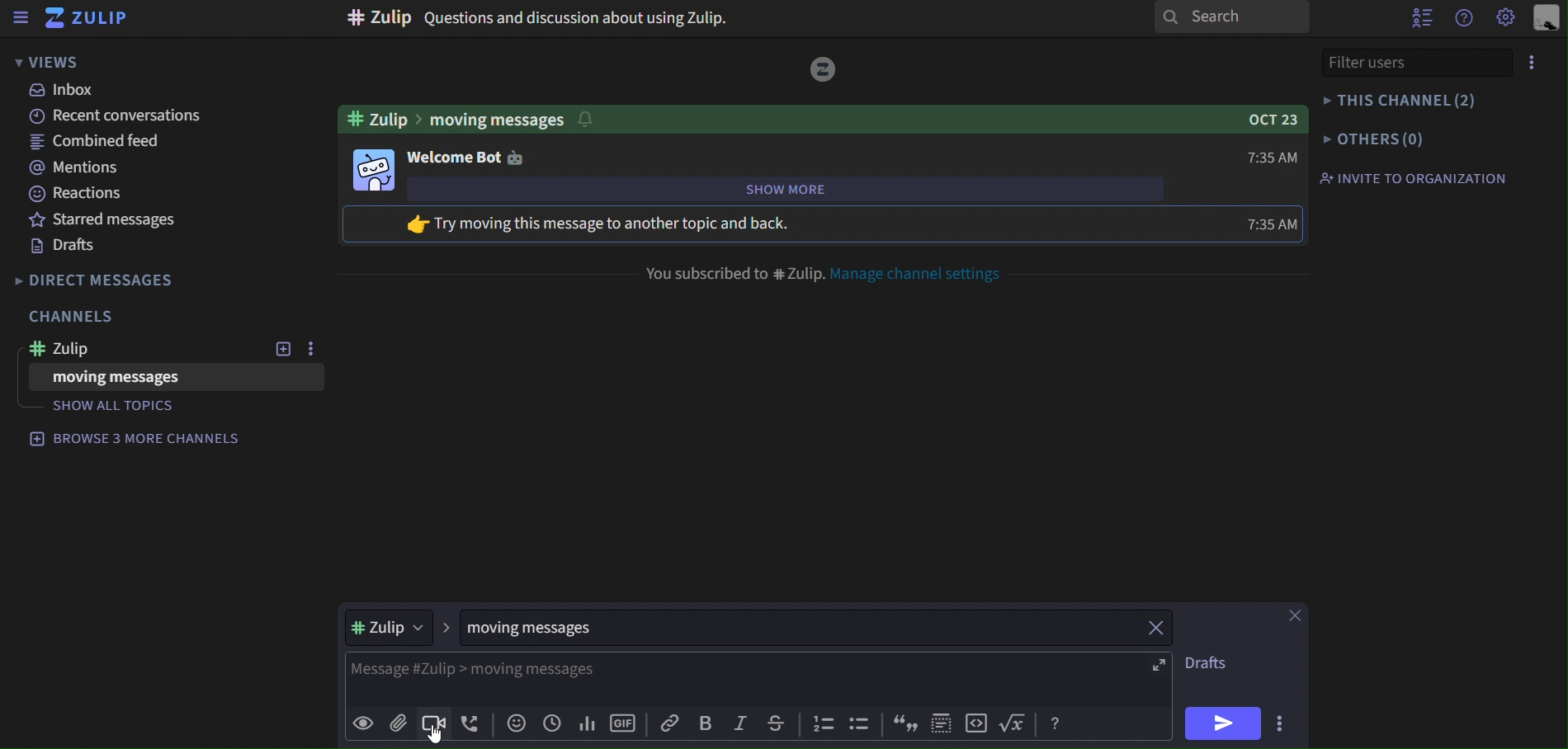  What do you see at coordinates (822, 190) in the screenshot?
I see `show more` at bounding box center [822, 190].